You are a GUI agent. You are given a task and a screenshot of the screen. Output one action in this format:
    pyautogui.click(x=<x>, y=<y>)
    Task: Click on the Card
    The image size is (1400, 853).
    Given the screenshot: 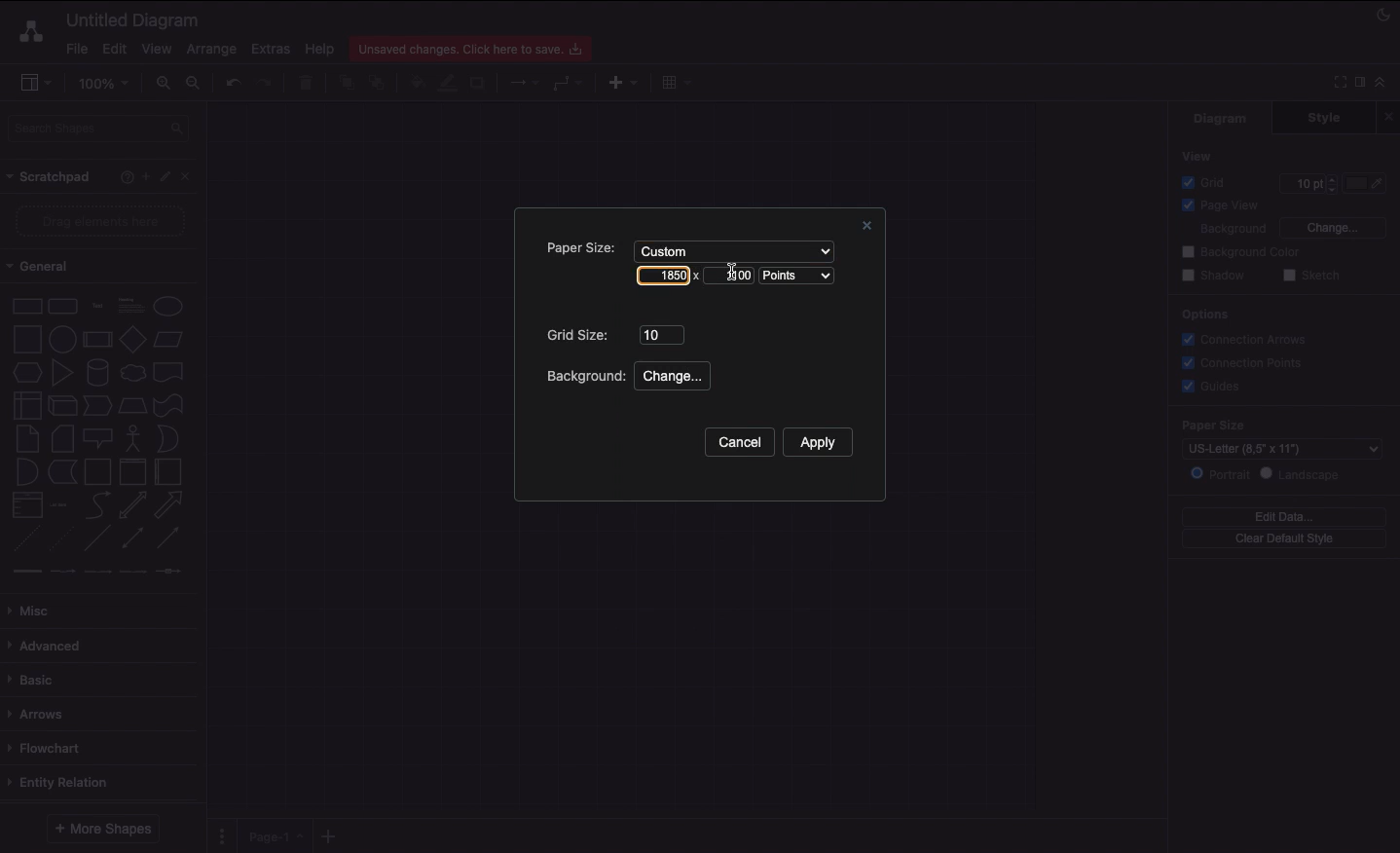 What is the action you would take?
    pyautogui.click(x=62, y=438)
    